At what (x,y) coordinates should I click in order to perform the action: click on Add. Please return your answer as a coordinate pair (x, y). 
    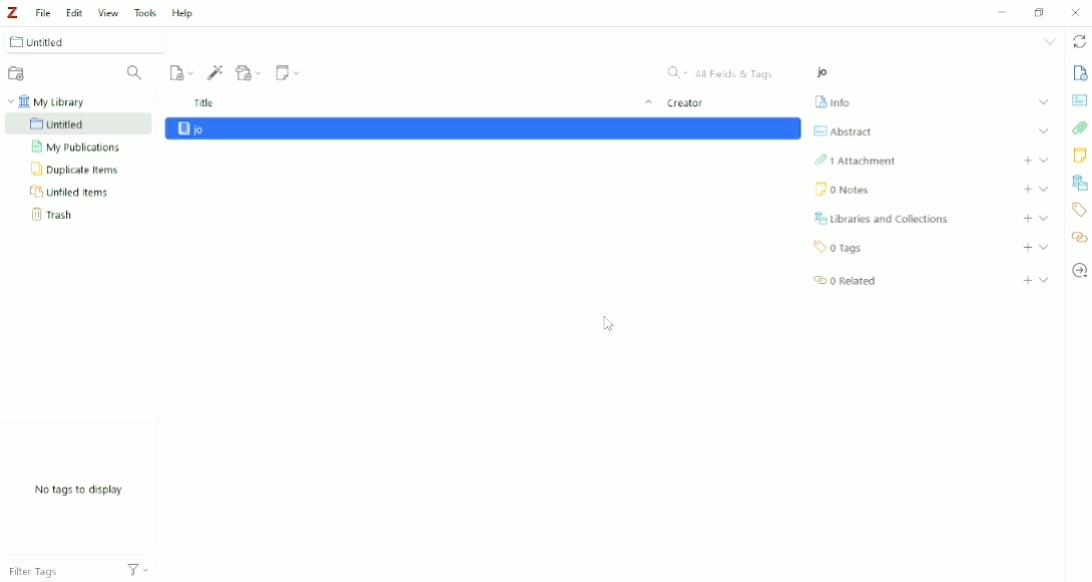
    Looking at the image, I should click on (1027, 248).